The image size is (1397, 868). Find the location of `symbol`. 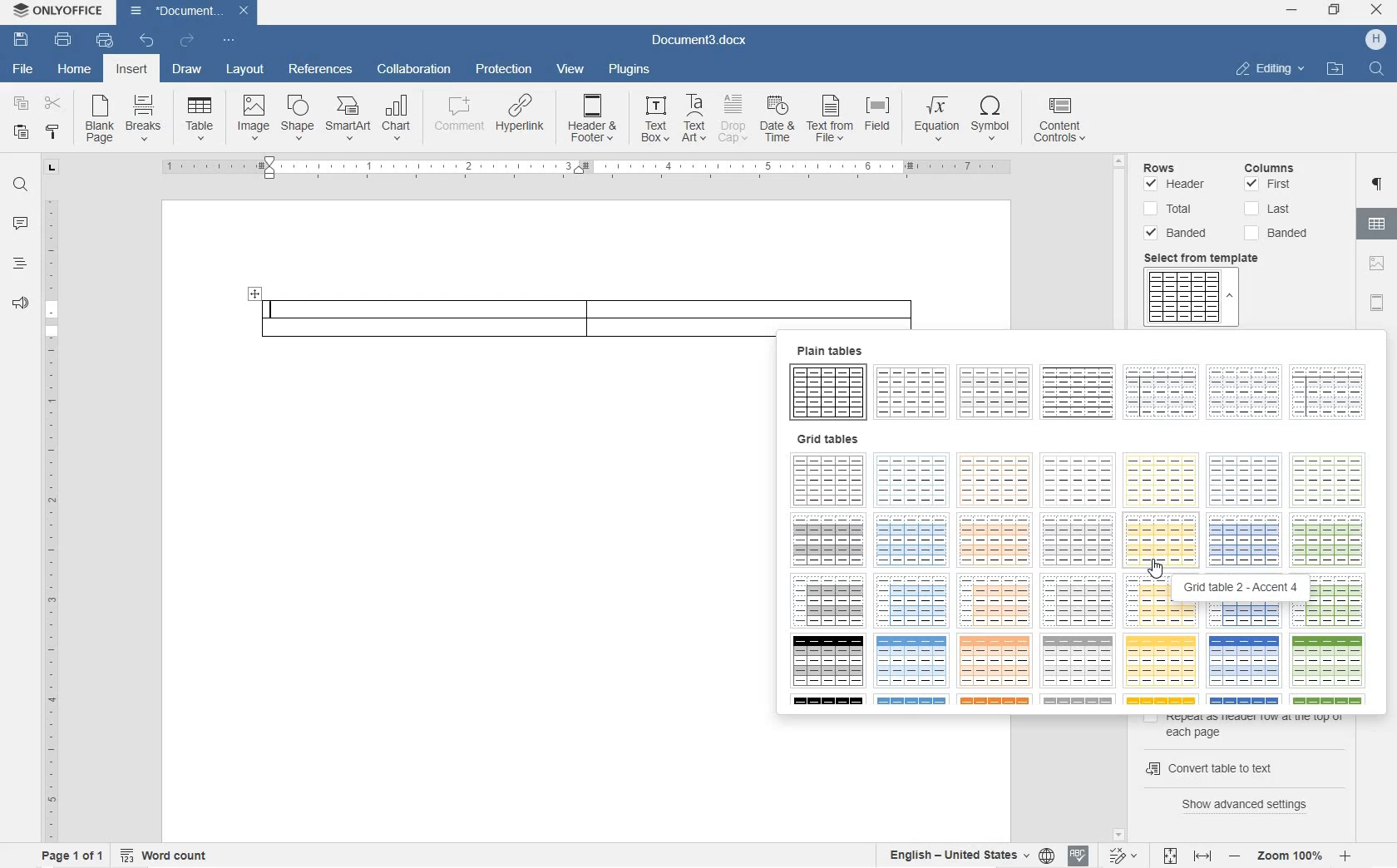

symbol is located at coordinates (992, 120).